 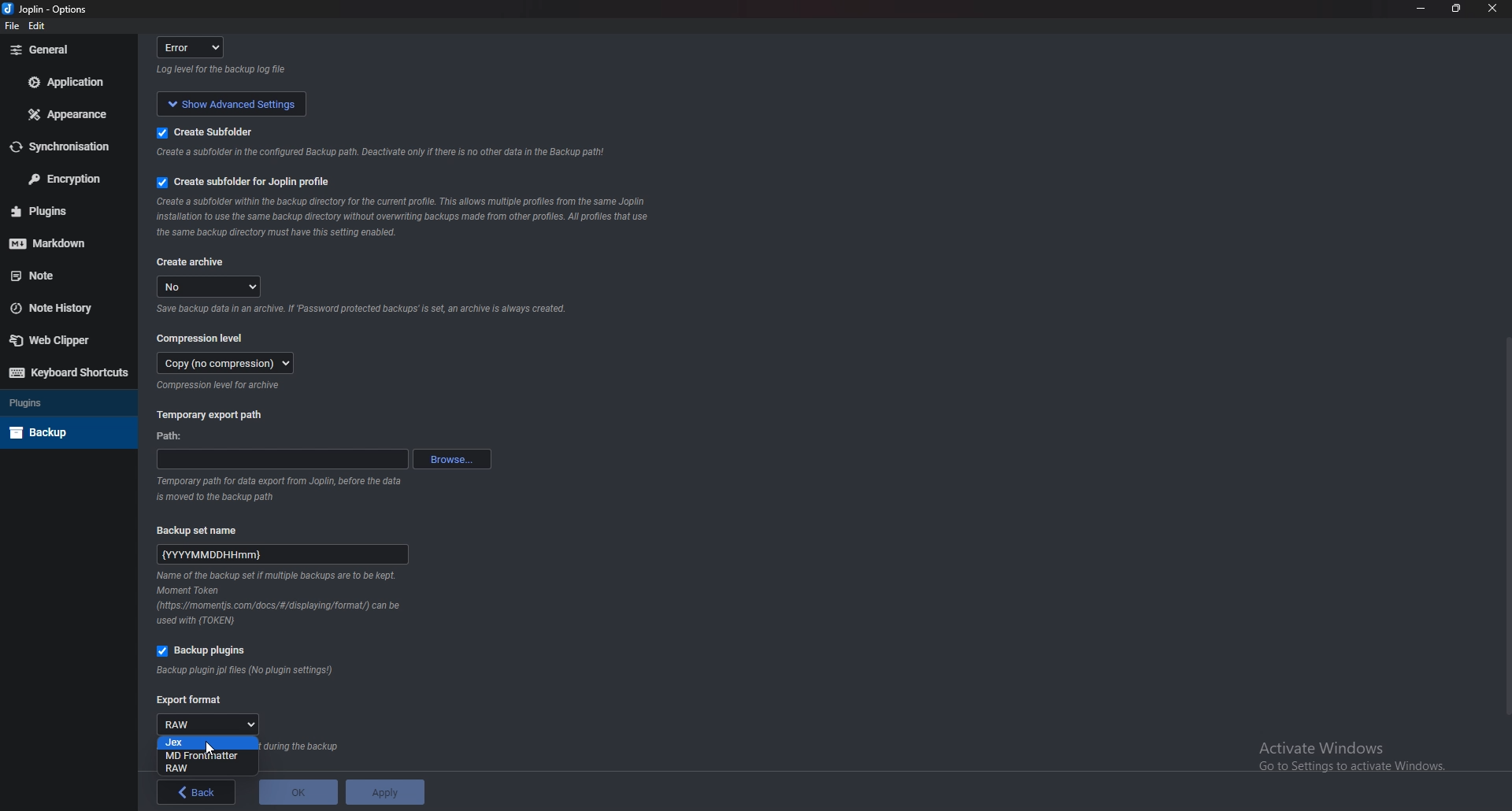 What do you see at coordinates (376, 154) in the screenshot?
I see `info` at bounding box center [376, 154].